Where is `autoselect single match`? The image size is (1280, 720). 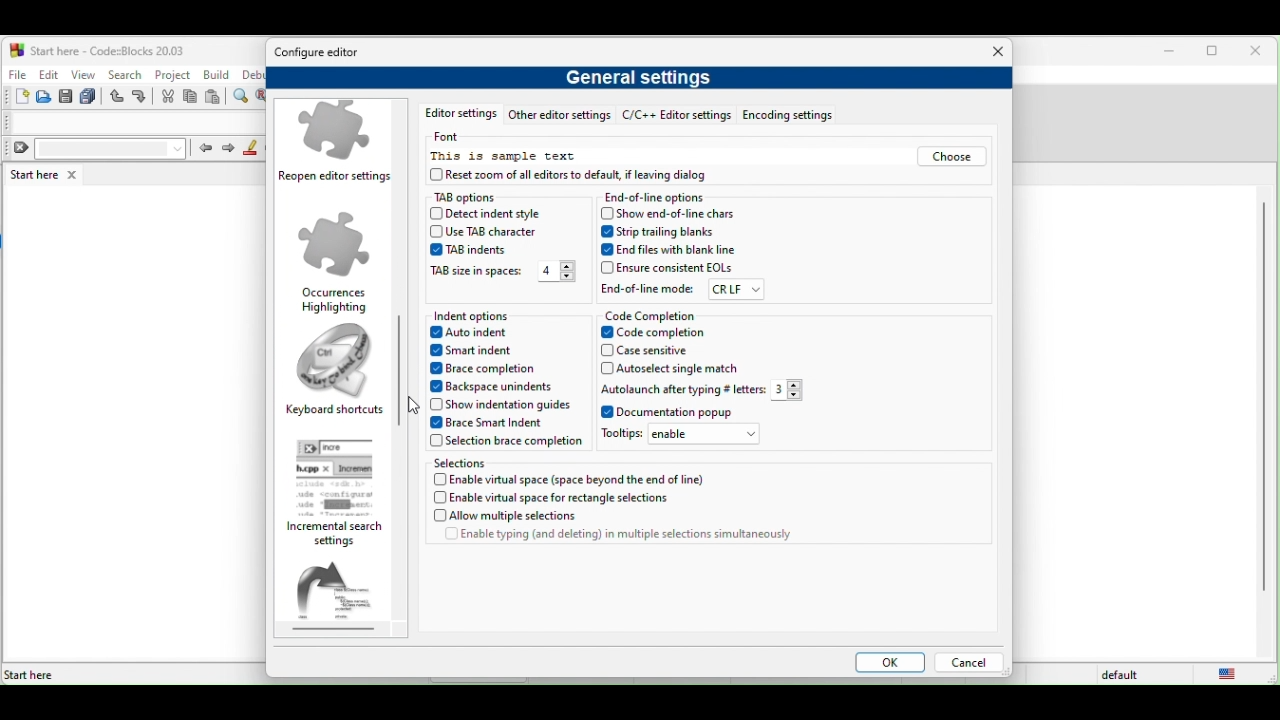 autoselect single match is located at coordinates (674, 369).